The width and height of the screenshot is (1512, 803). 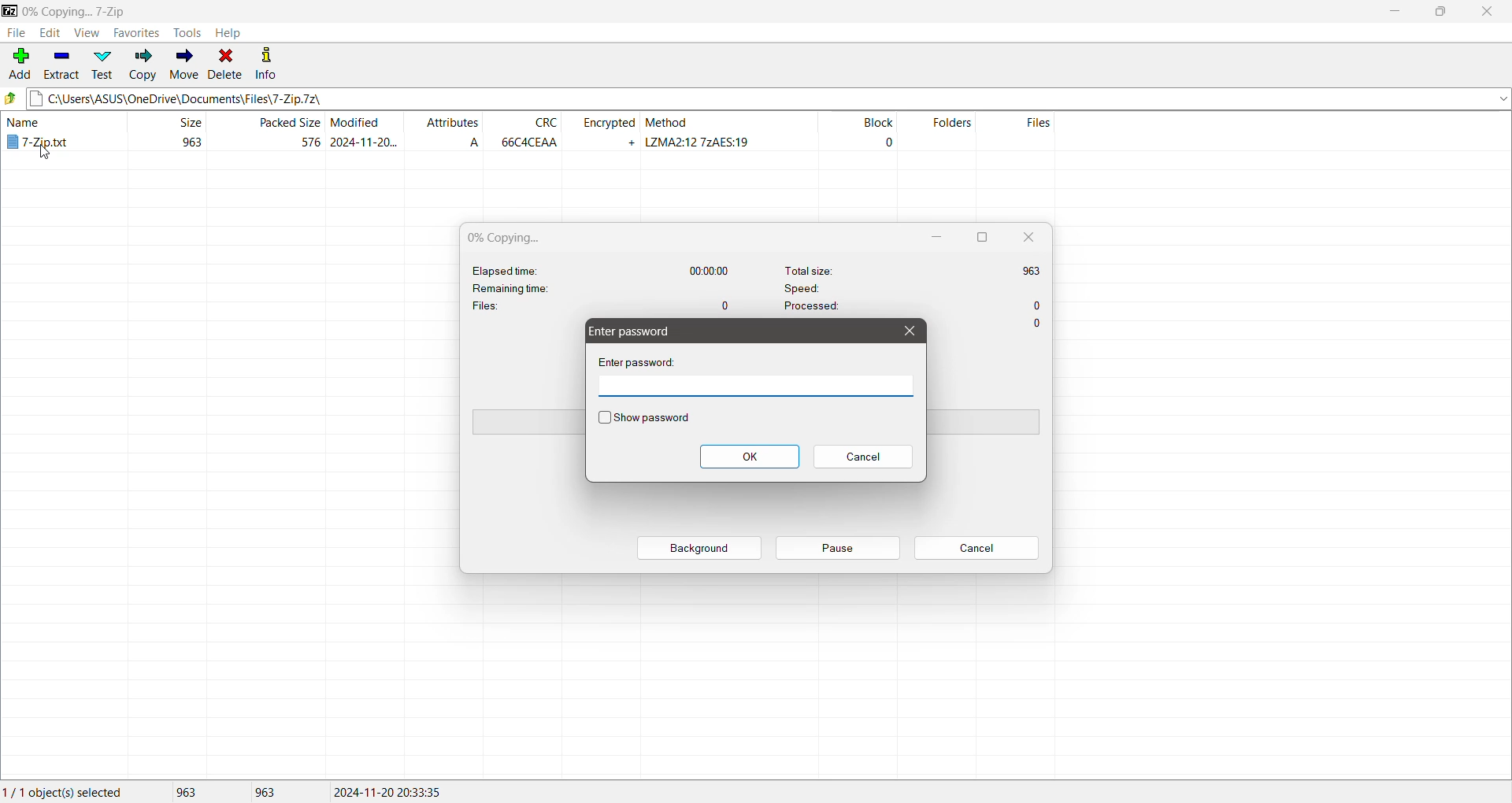 What do you see at coordinates (980, 237) in the screenshot?
I see `Maximize` at bounding box center [980, 237].